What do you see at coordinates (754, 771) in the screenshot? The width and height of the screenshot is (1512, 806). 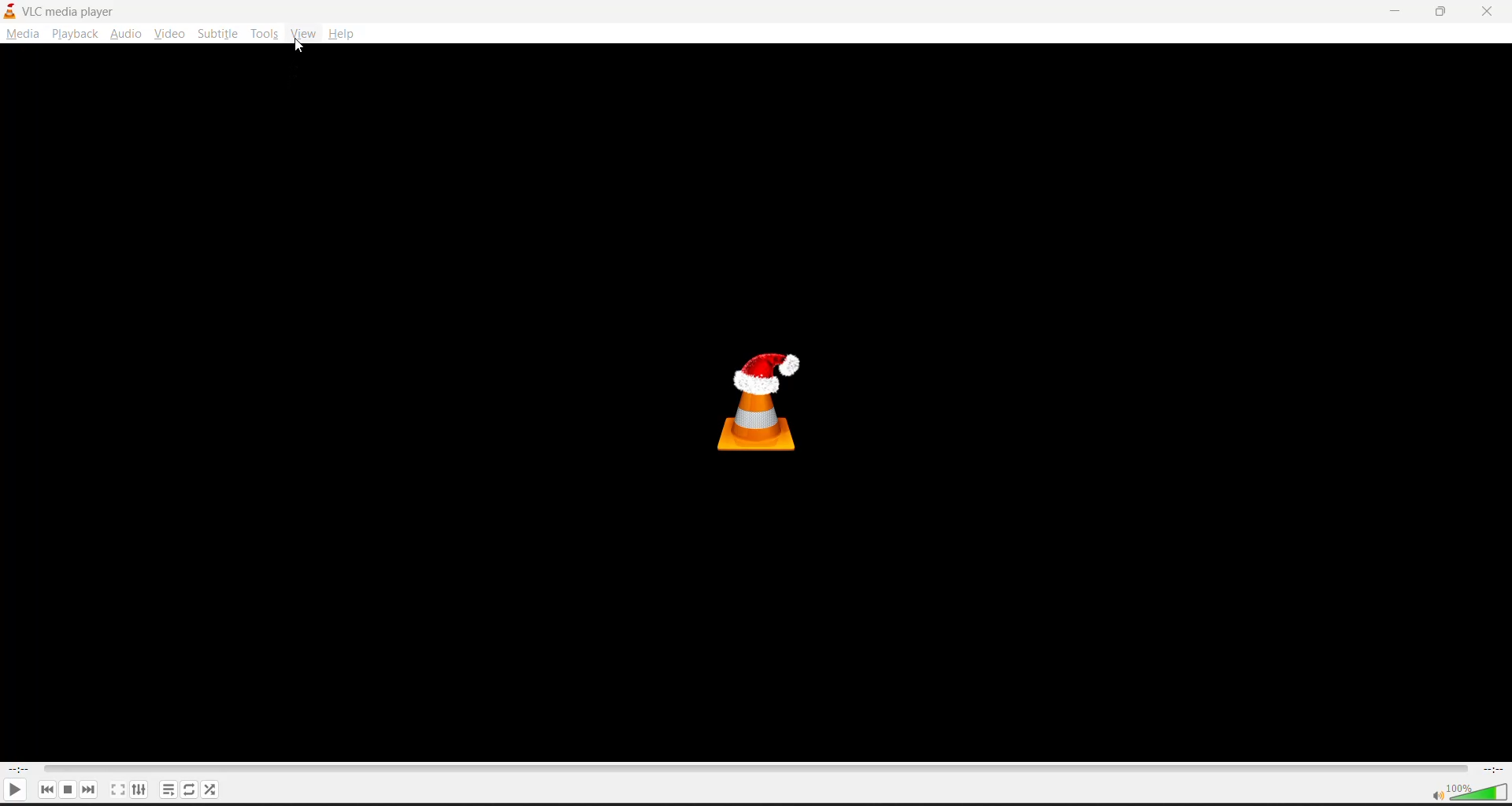 I see `track slider` at bounding box center [754, 771].